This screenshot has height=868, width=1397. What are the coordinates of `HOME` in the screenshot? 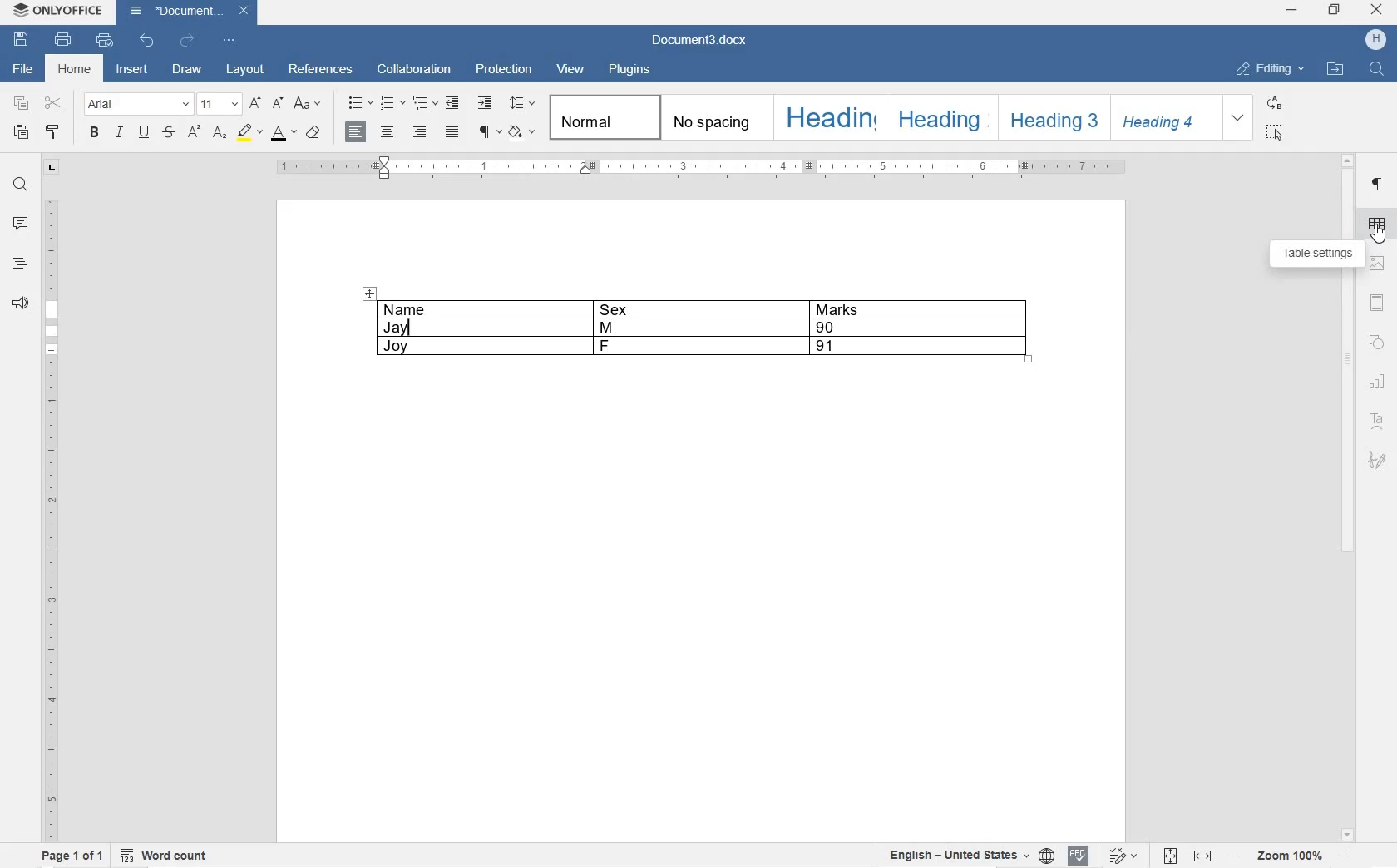 It's located at (77, 70).